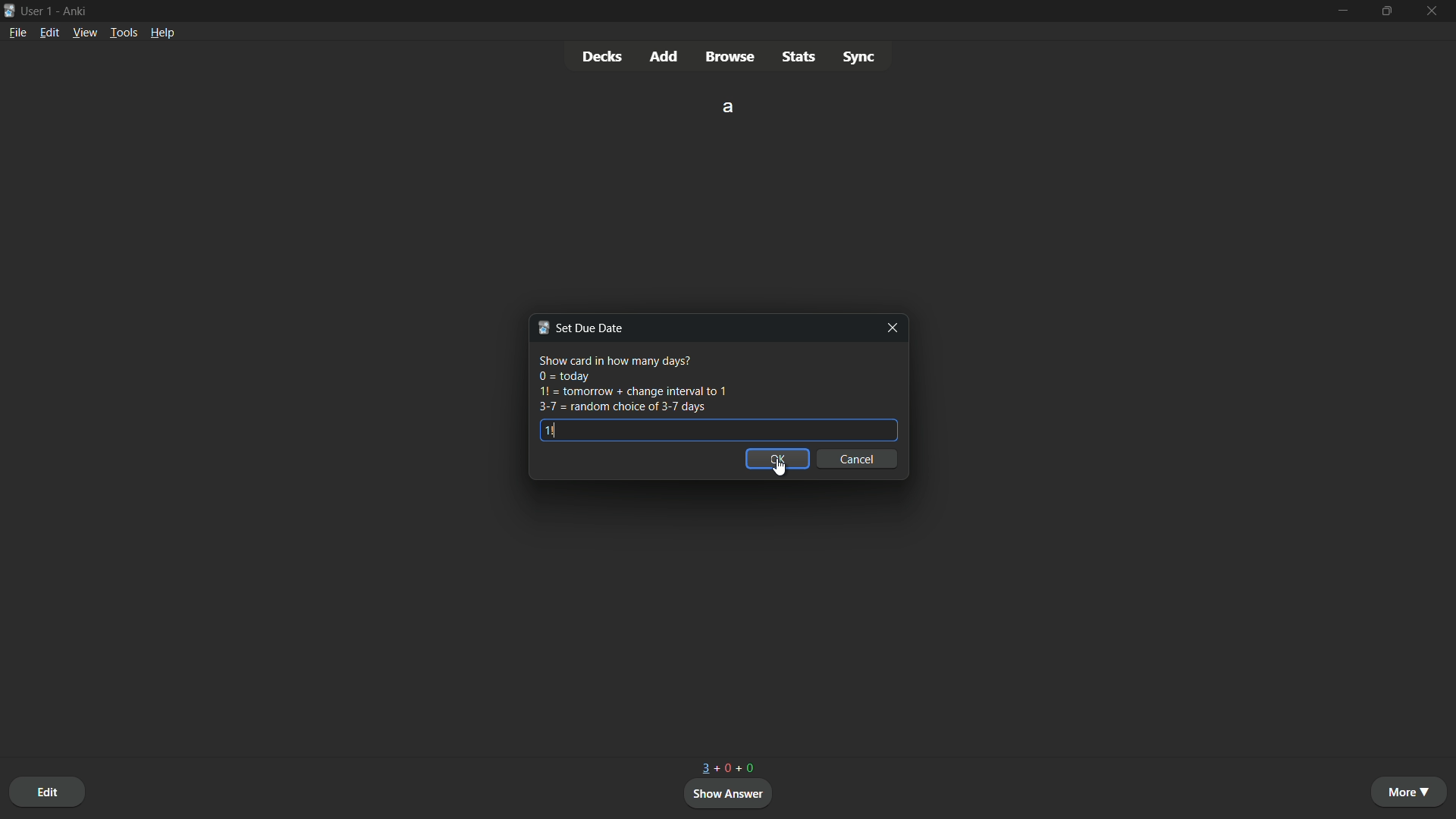 This screenshot has width=1456, height=819. What do you see at coordinates (1389, 11) in the screenshot?
I see `maximize` at bounding box center [1389, 11].